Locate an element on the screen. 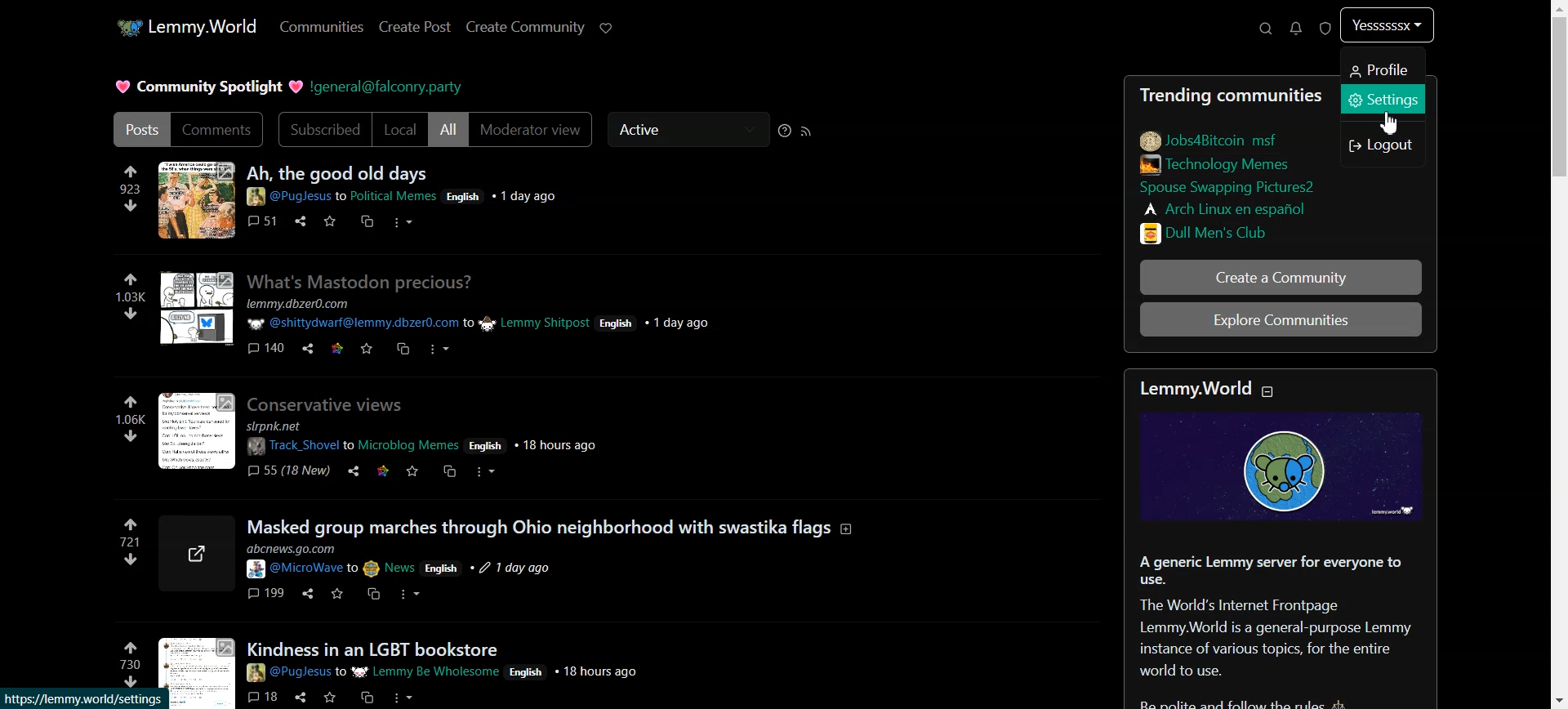  Create a Community is located at coordinates (1279, 279).